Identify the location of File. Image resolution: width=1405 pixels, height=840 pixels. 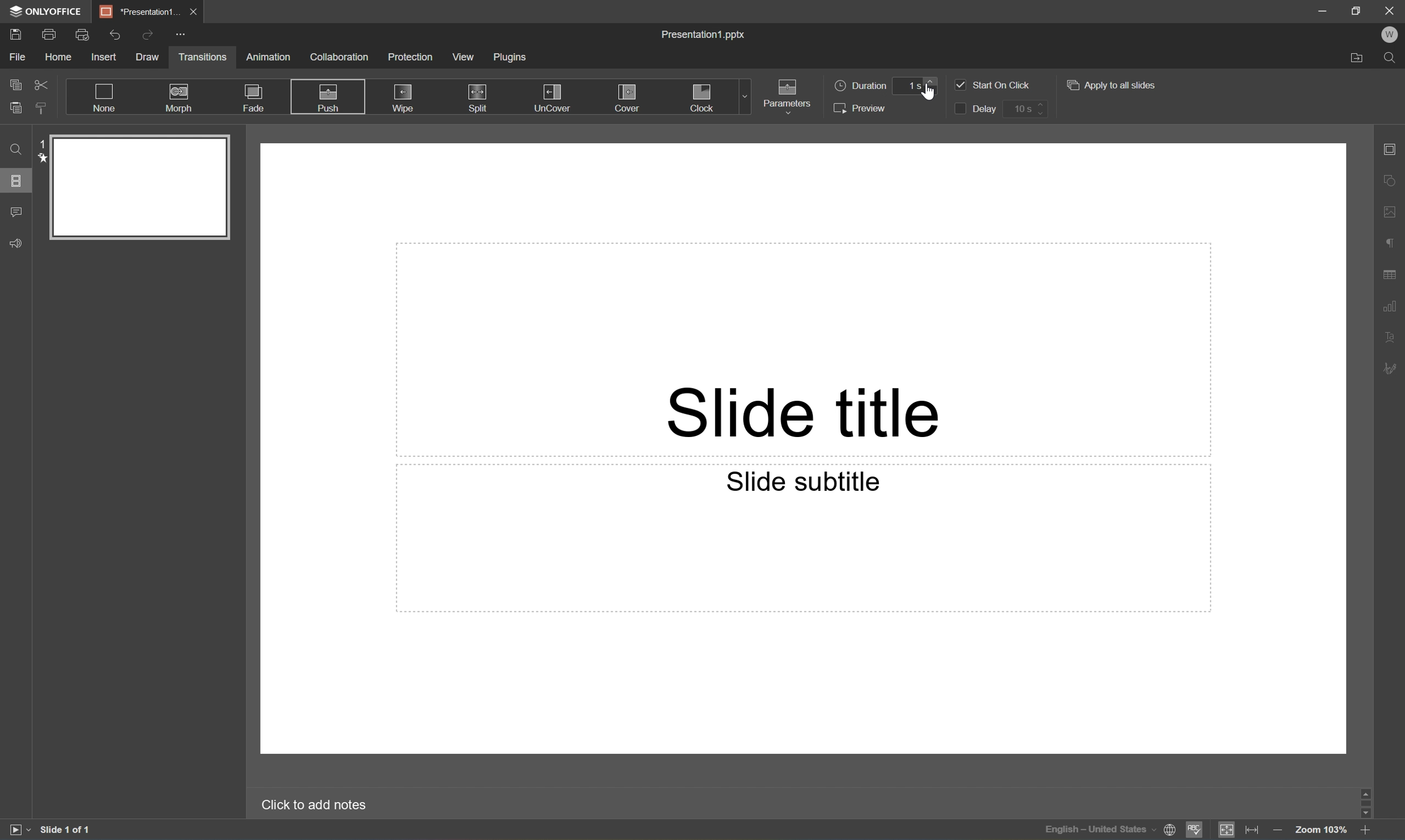
(19, 57).